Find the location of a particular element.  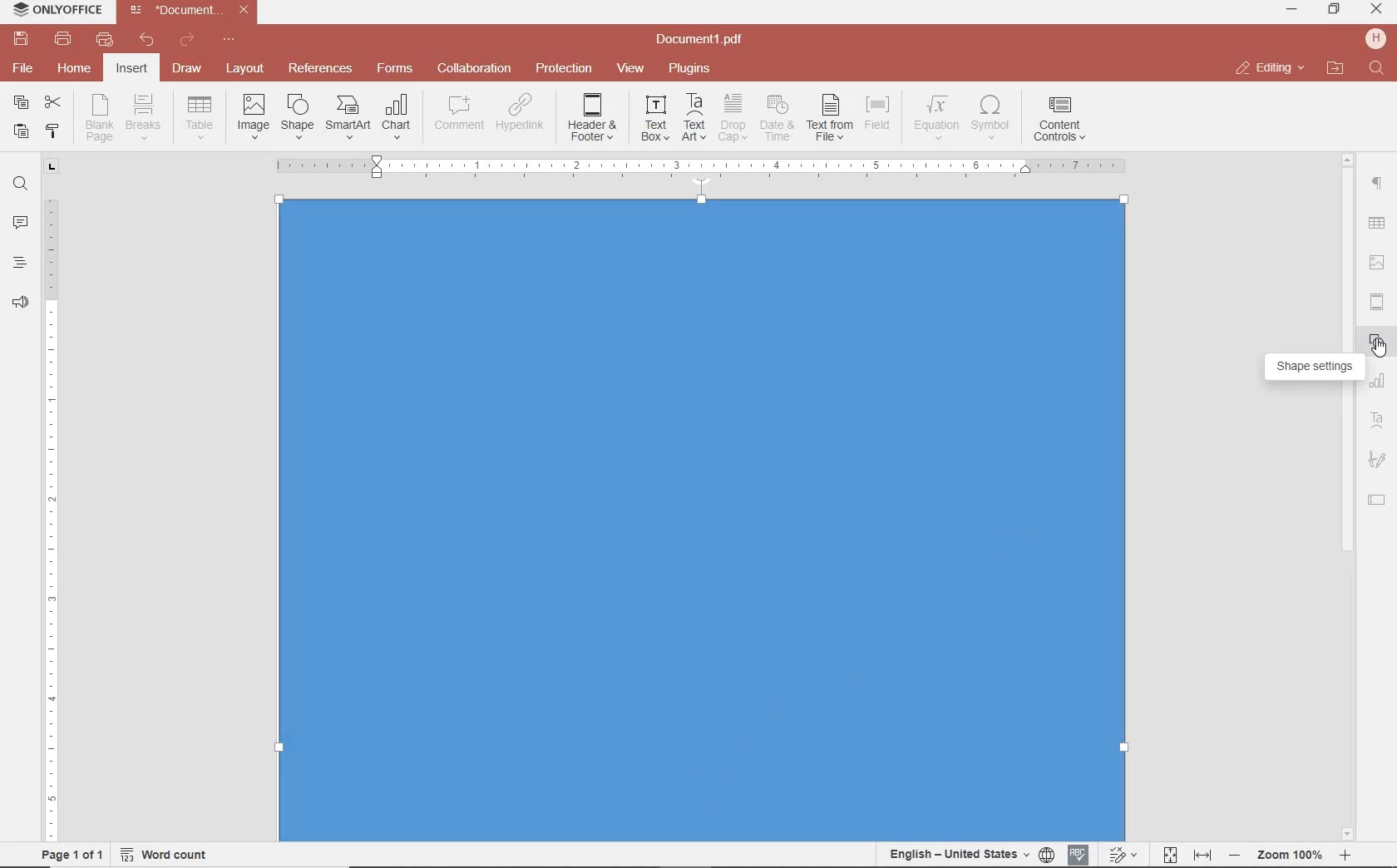

DRAGGING TO EXPAND RECTANGLE is located at coordinates (699, 588).